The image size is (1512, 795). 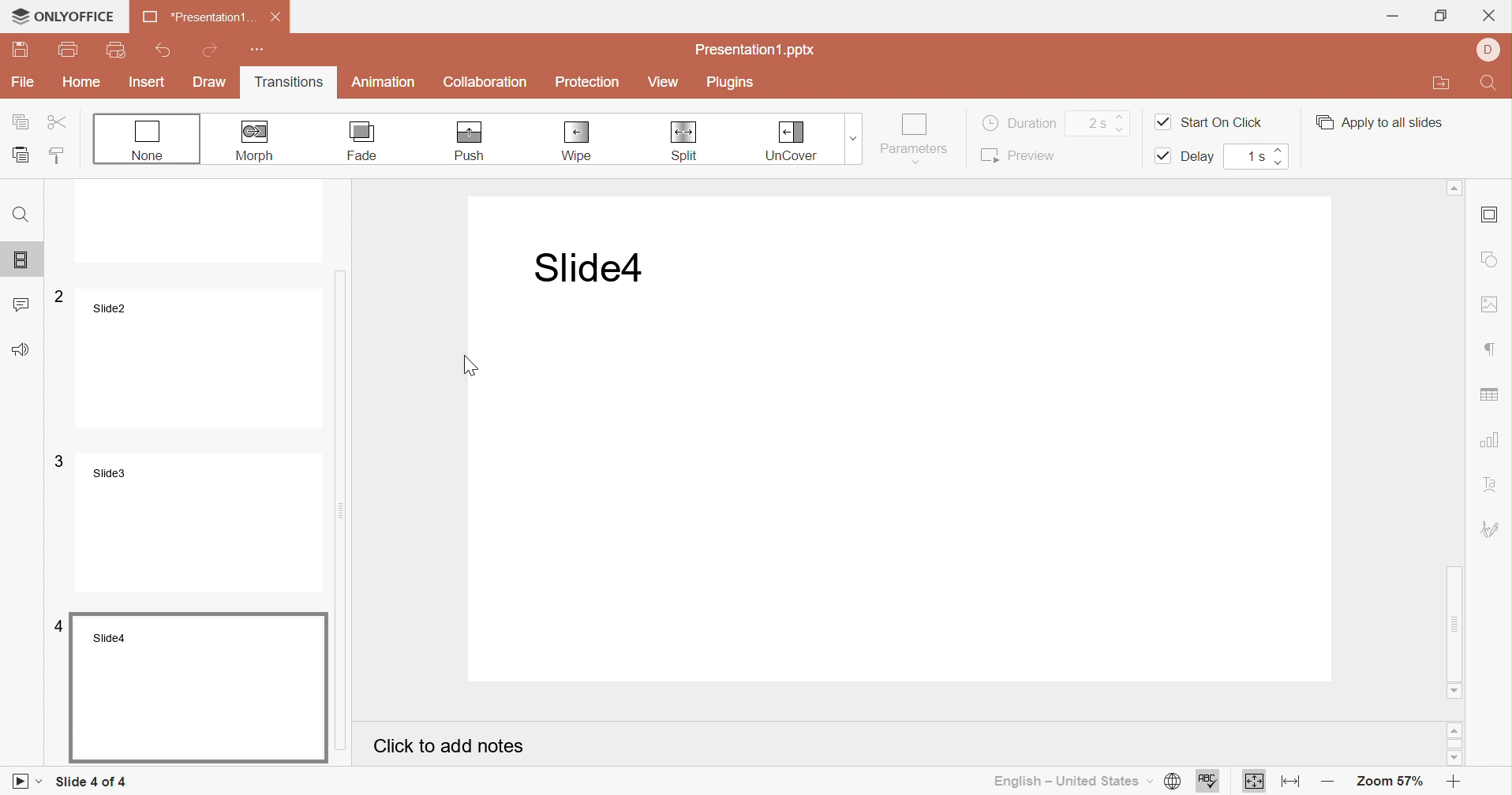 What do you see at coordinates (166, 47) in the screenshot?
I see `Undo` at bounding box center [166, 47].